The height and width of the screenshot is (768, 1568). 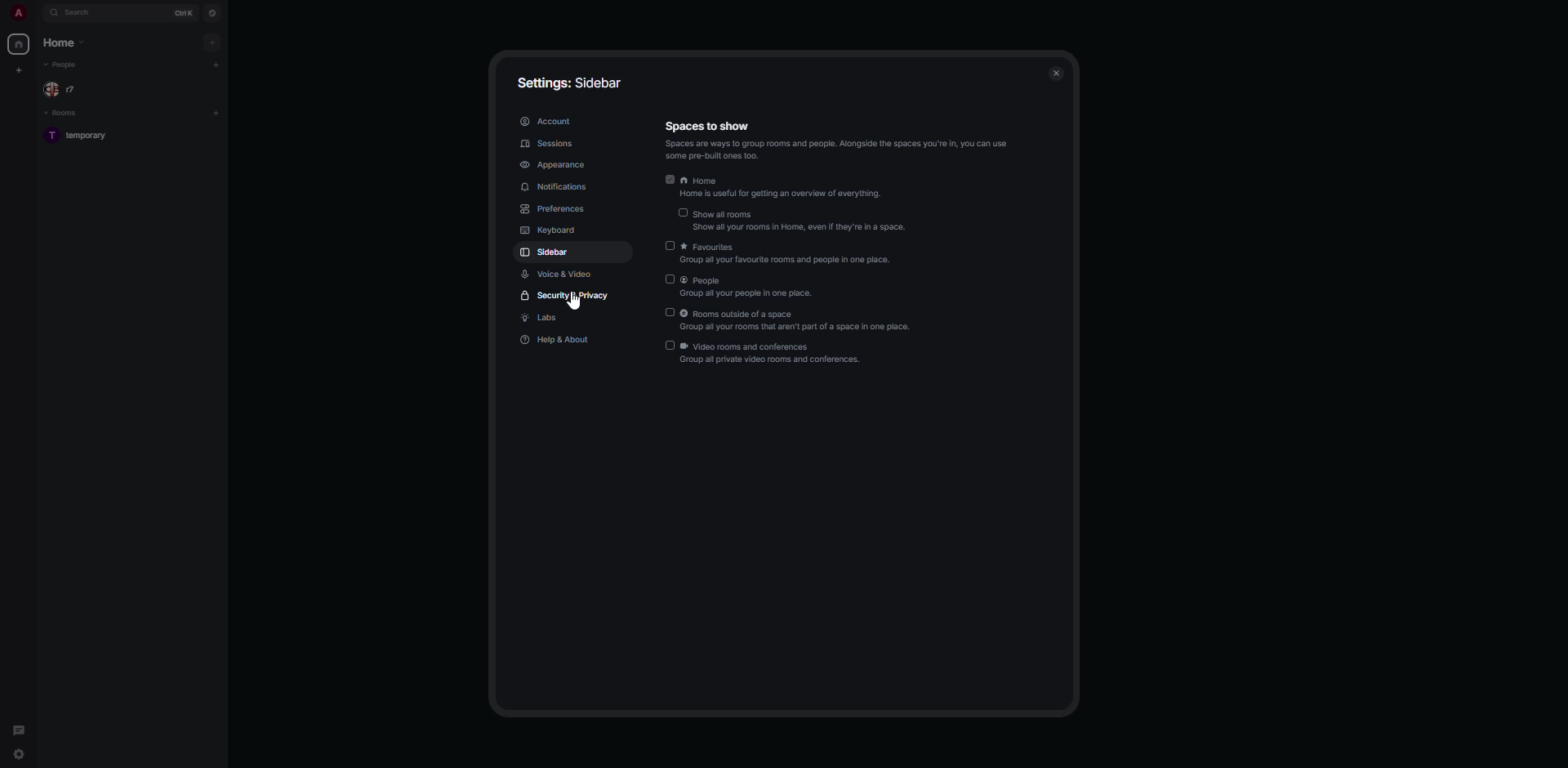 What do you see at coordinates (546, 252) in the screenshot?
I see `sidebar` at bounding box center [546, 252].